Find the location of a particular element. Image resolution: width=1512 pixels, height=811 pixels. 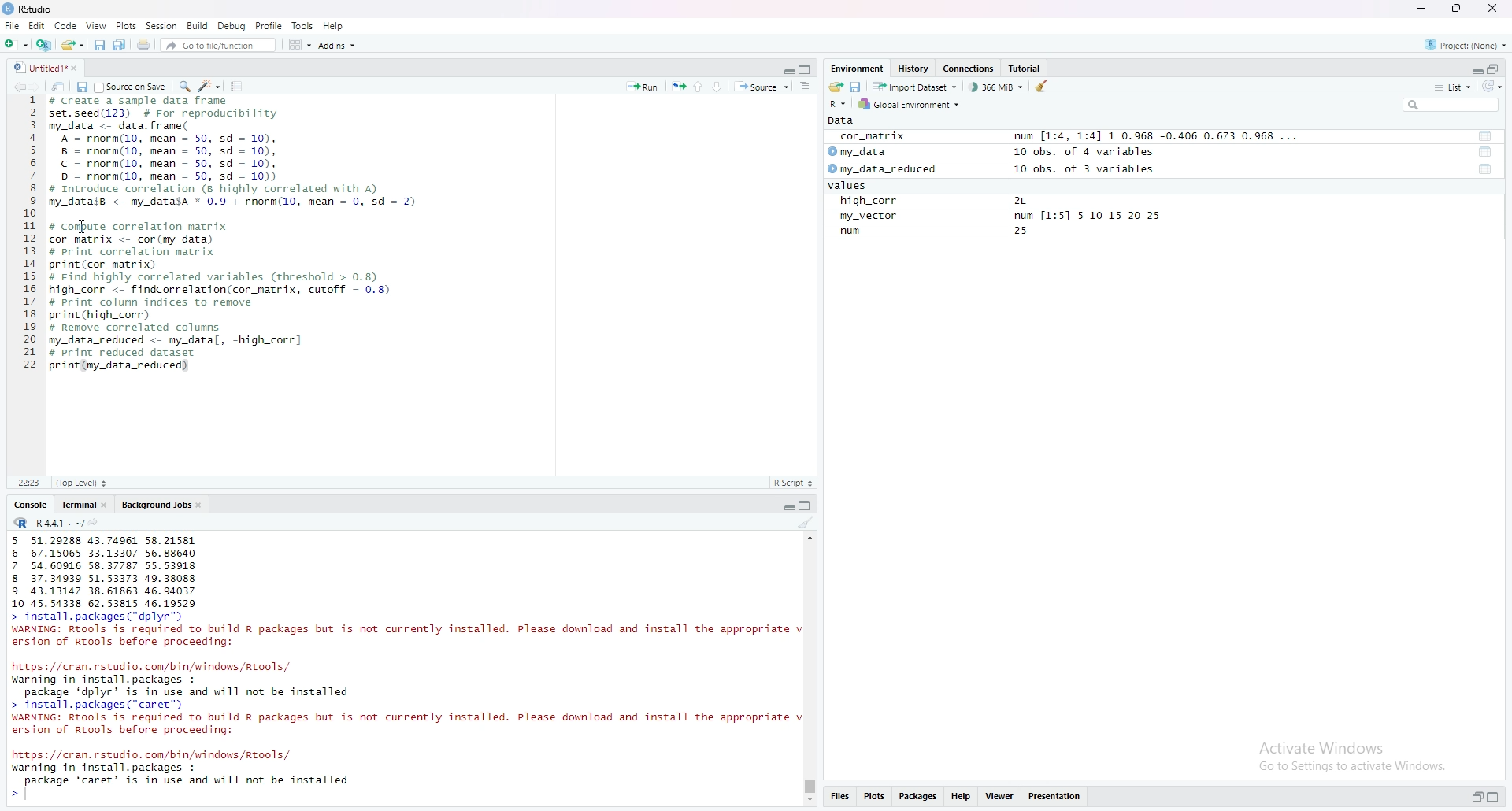

# Create a sample data frame
set.seed(123) # For reproducibility
my_data <- data. frame(
A = rnorm(10, mean = 50, sd = 10),
8 = rnorm(10, mean = 50, sd = 10),
© = rnorm(10, mean = 50, sd = 10),
D = rnorm(10, mean = 50, sd = 10))
# Introduce correlation (8 highly correlated with A)
my_datass <- my_datasa * 0.9 + rnorm(10, mean = 0, sd = 2) is located at coordinates (240, 154).